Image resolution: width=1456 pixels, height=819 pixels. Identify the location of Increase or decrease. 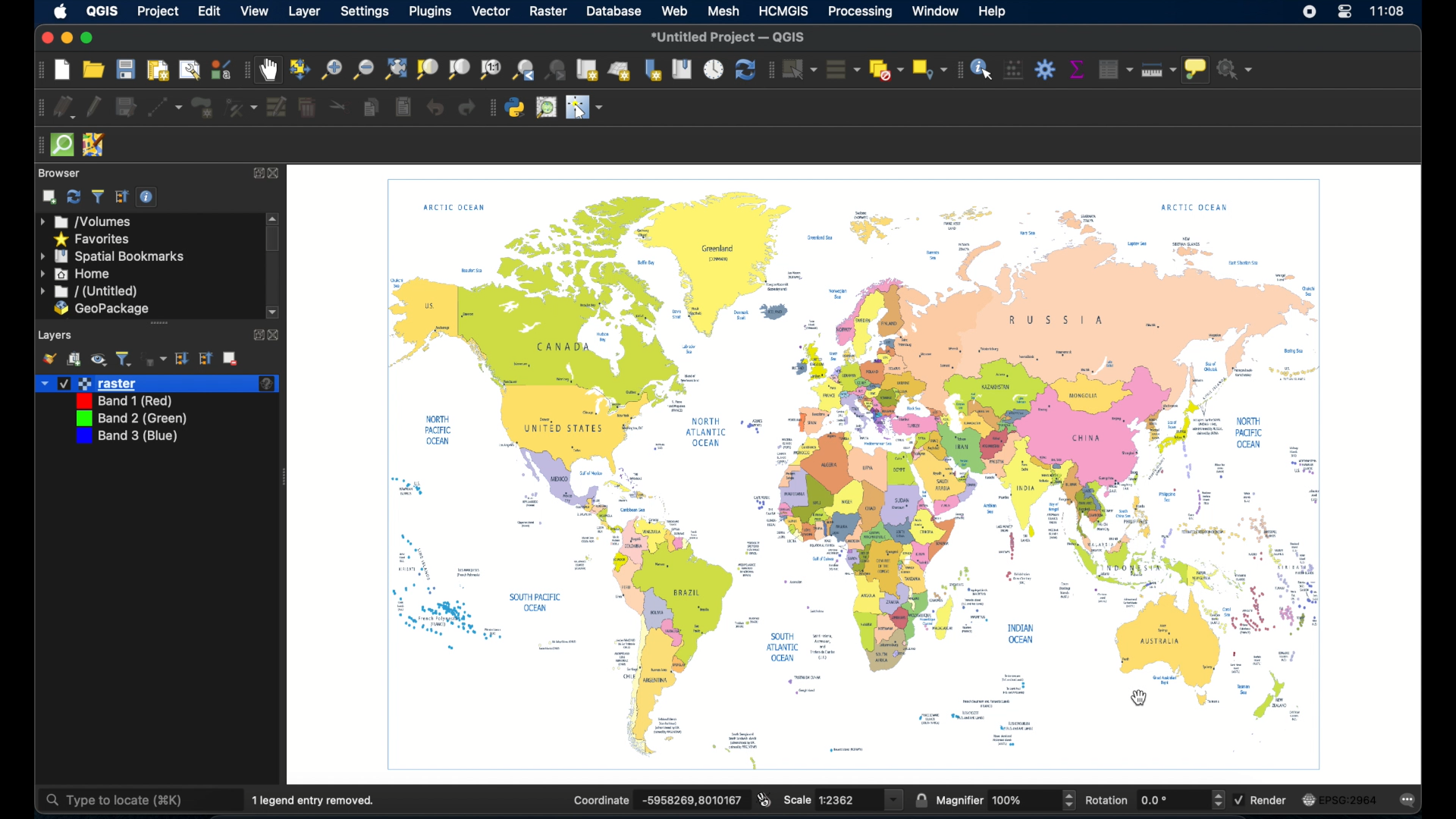
(1217, 800).